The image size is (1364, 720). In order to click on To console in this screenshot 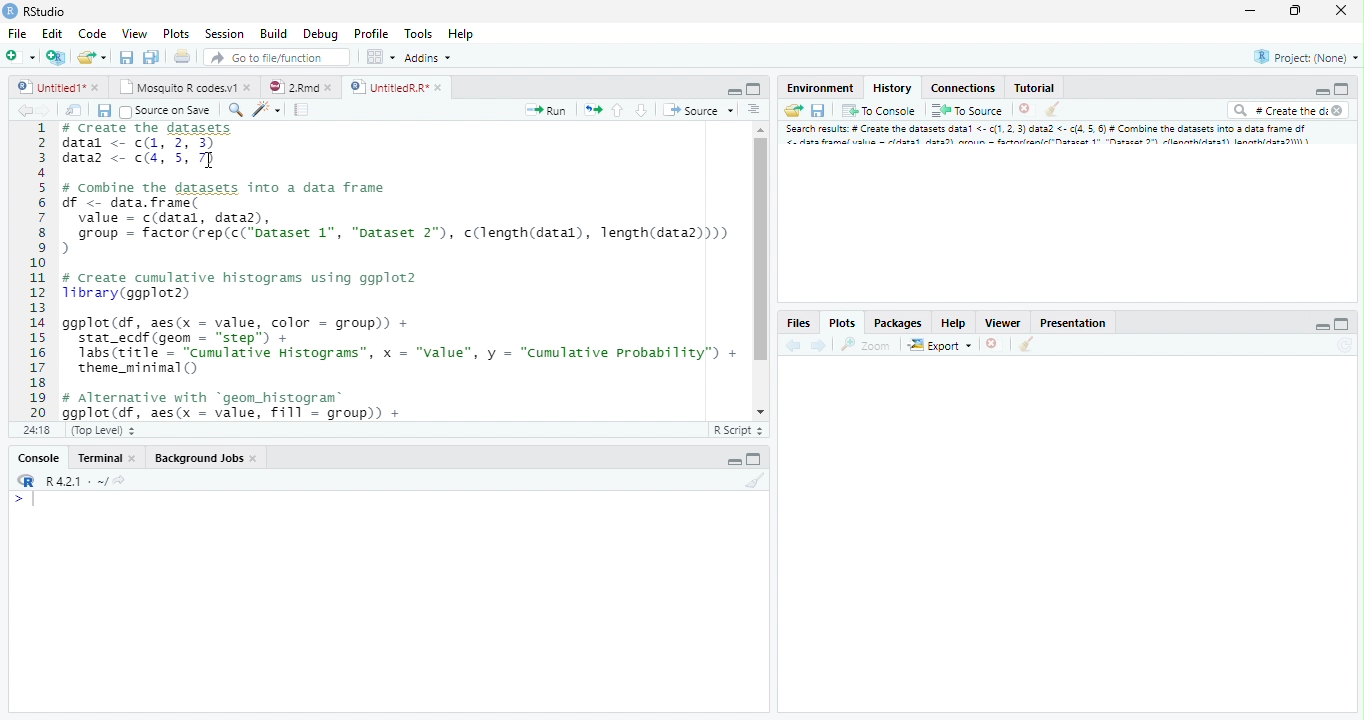, I will do `click(881, 111)`.